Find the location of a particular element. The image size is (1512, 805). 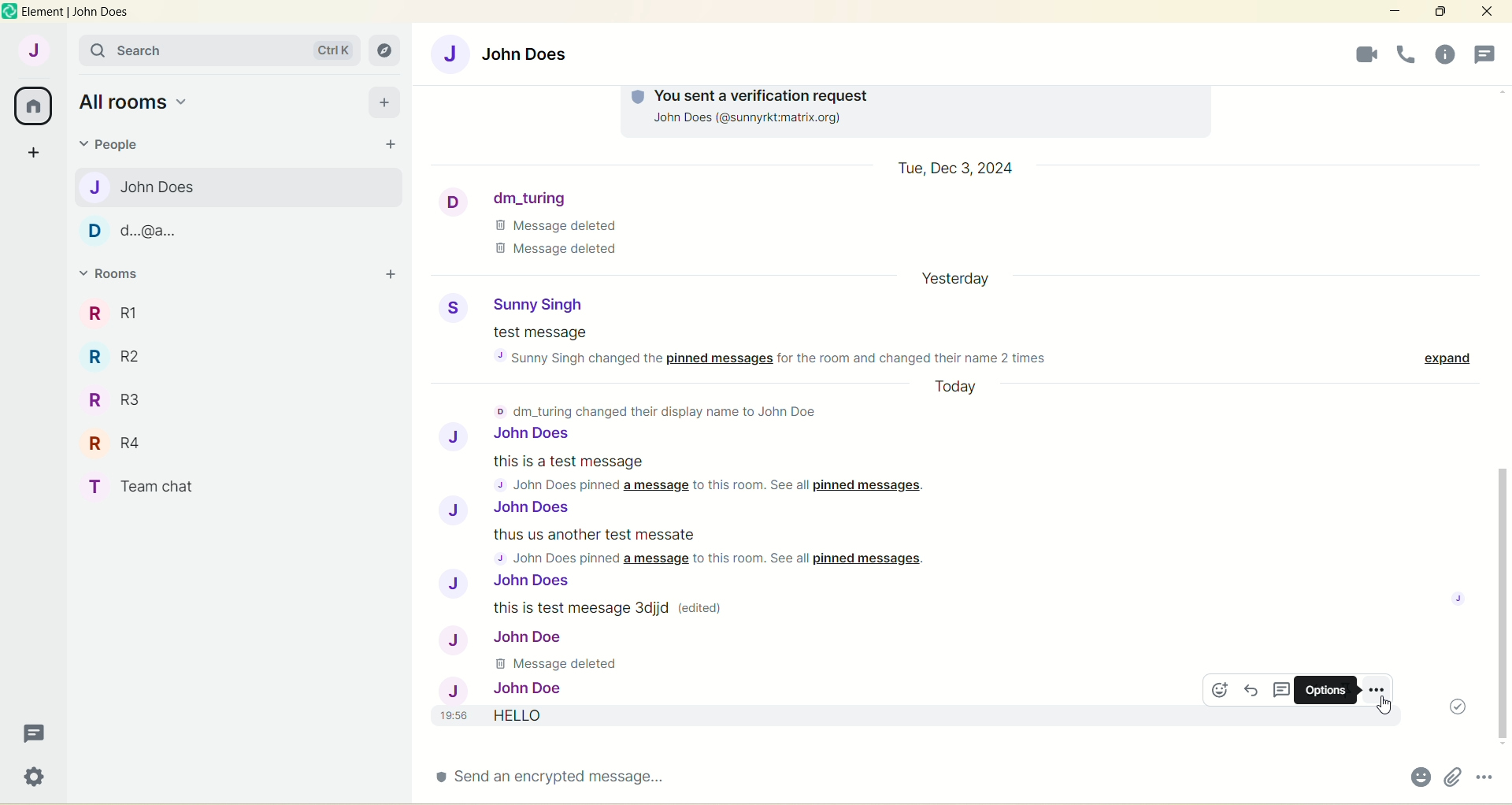

logo is located at coordinates (9, 12).